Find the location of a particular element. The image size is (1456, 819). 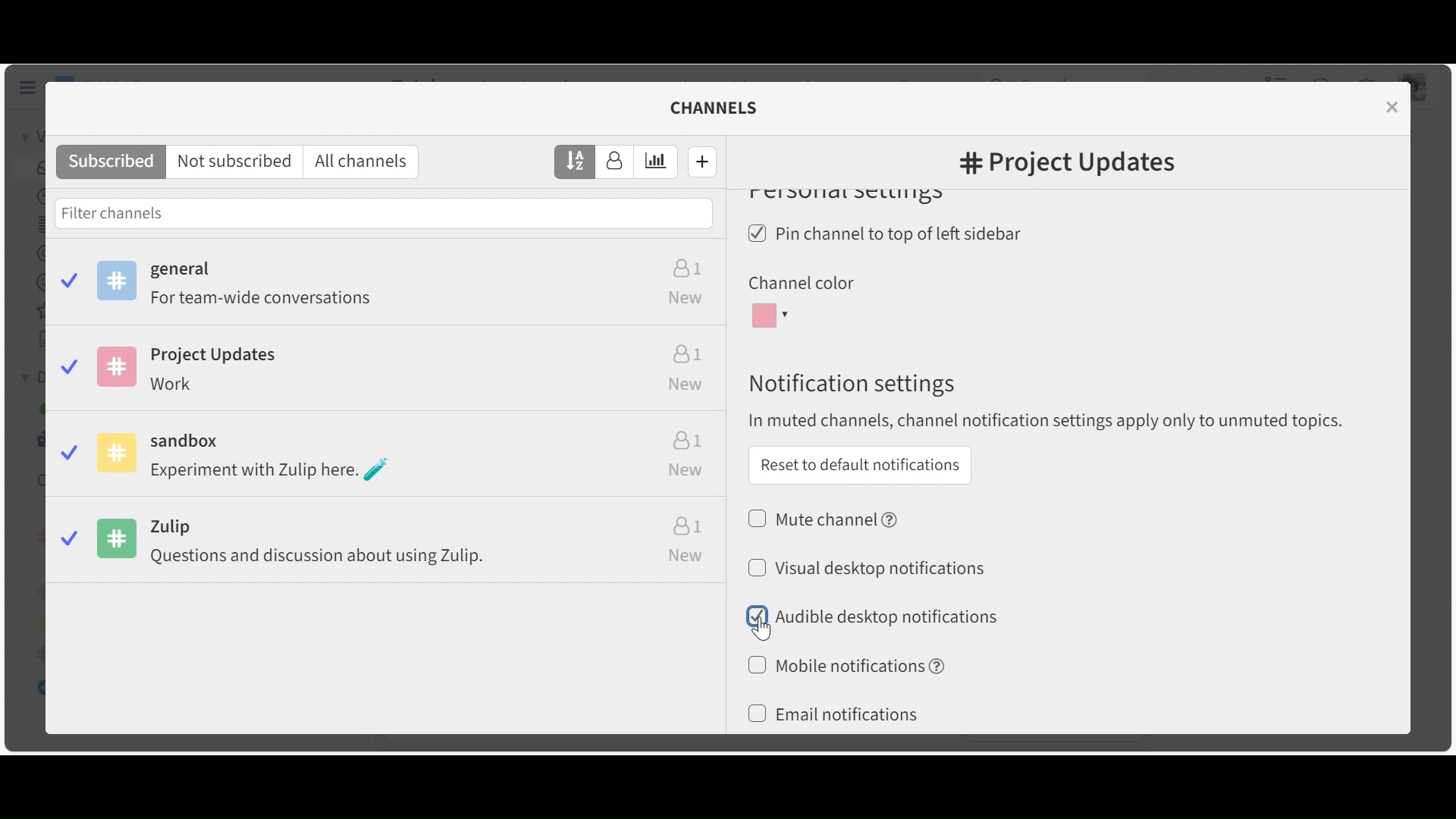

Channel color is located at coordinates (800, 284).